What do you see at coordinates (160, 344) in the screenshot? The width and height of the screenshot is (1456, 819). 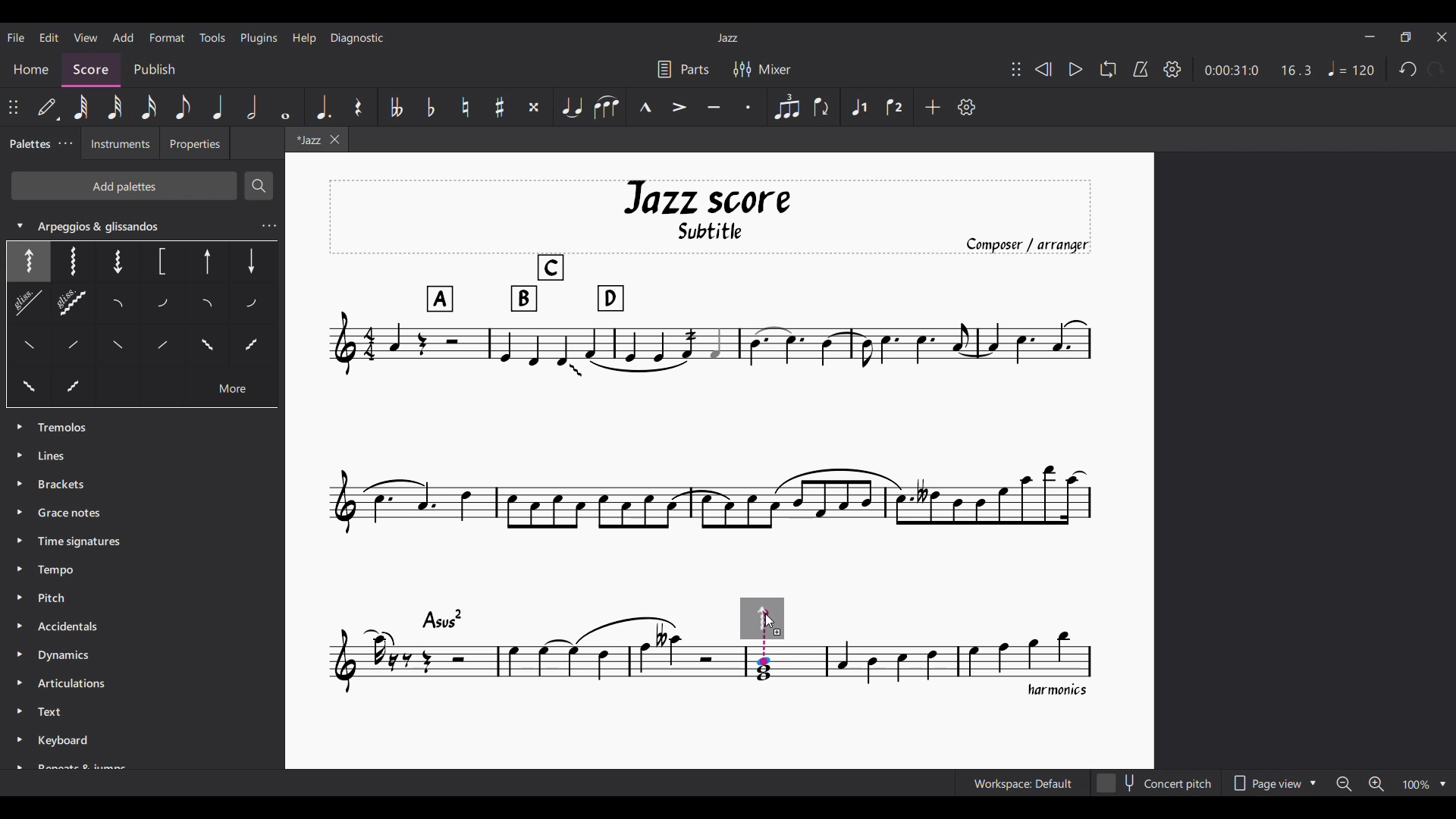 I see `` at bounding box center [160, 344].